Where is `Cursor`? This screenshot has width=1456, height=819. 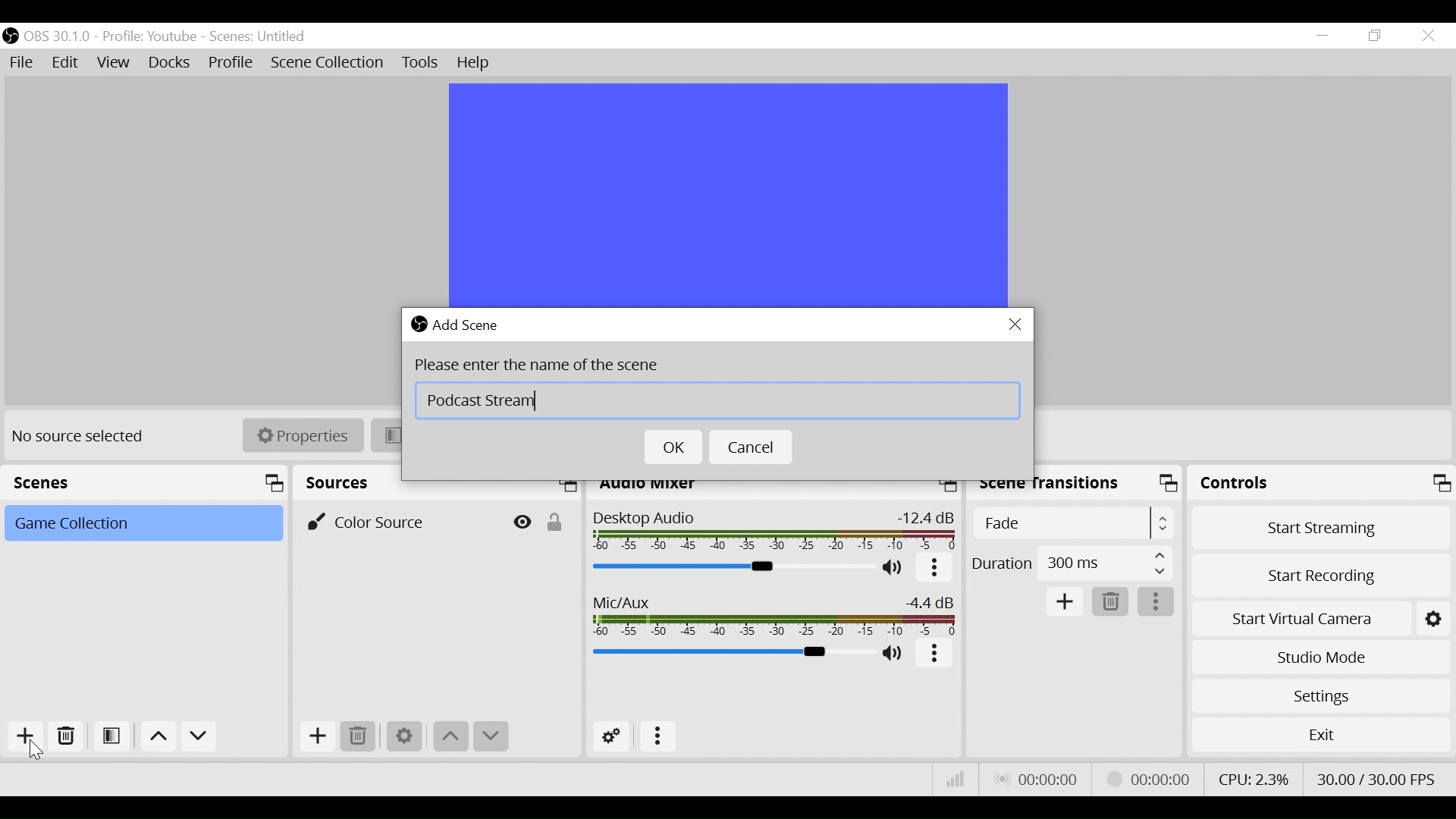
Cursor is located at coordinates (39, 749).